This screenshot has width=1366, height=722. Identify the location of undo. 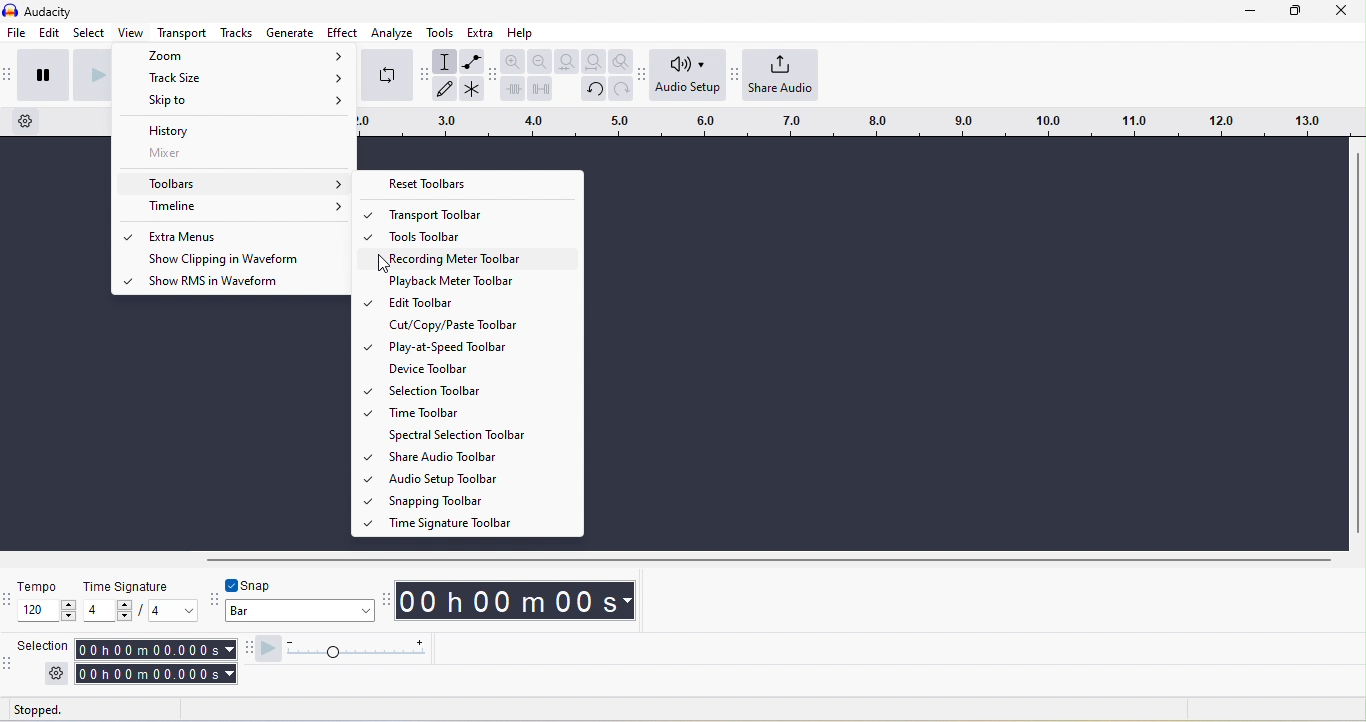
(594, 90).